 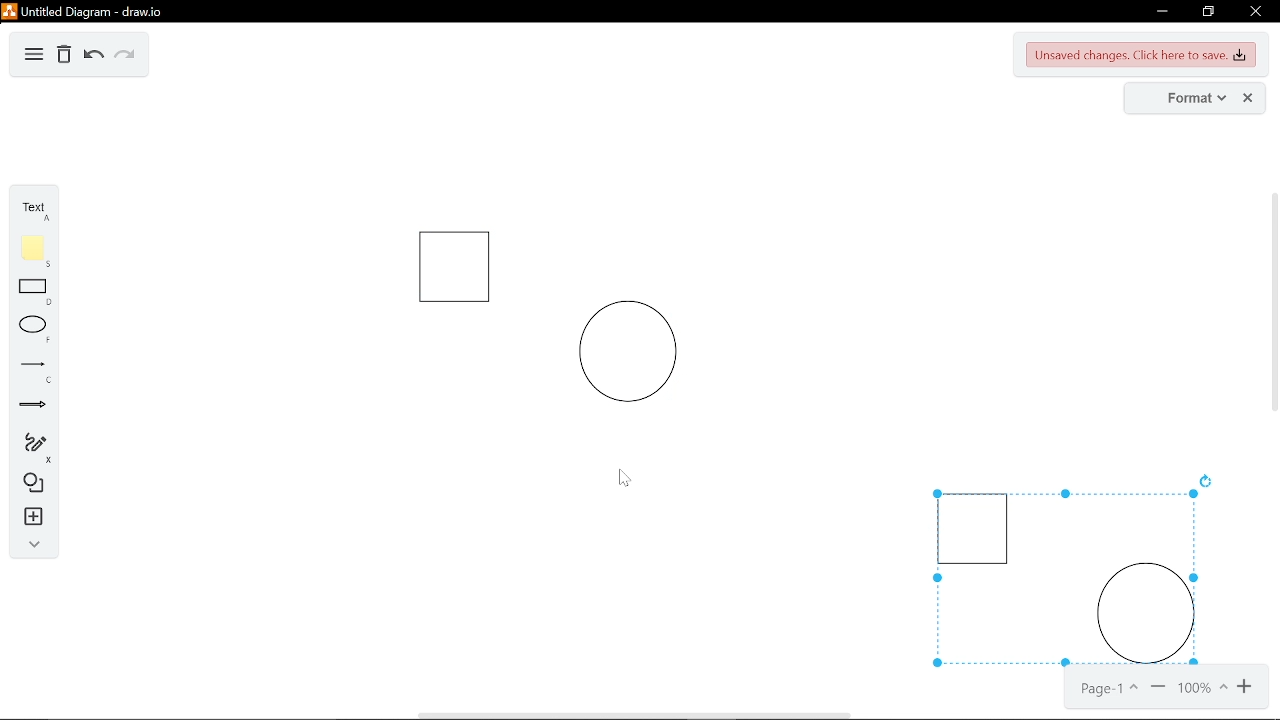 What do you see at coordinates (1159, 12) in the screenshot?
I see `minimize` at bounding box center [1159, 12].